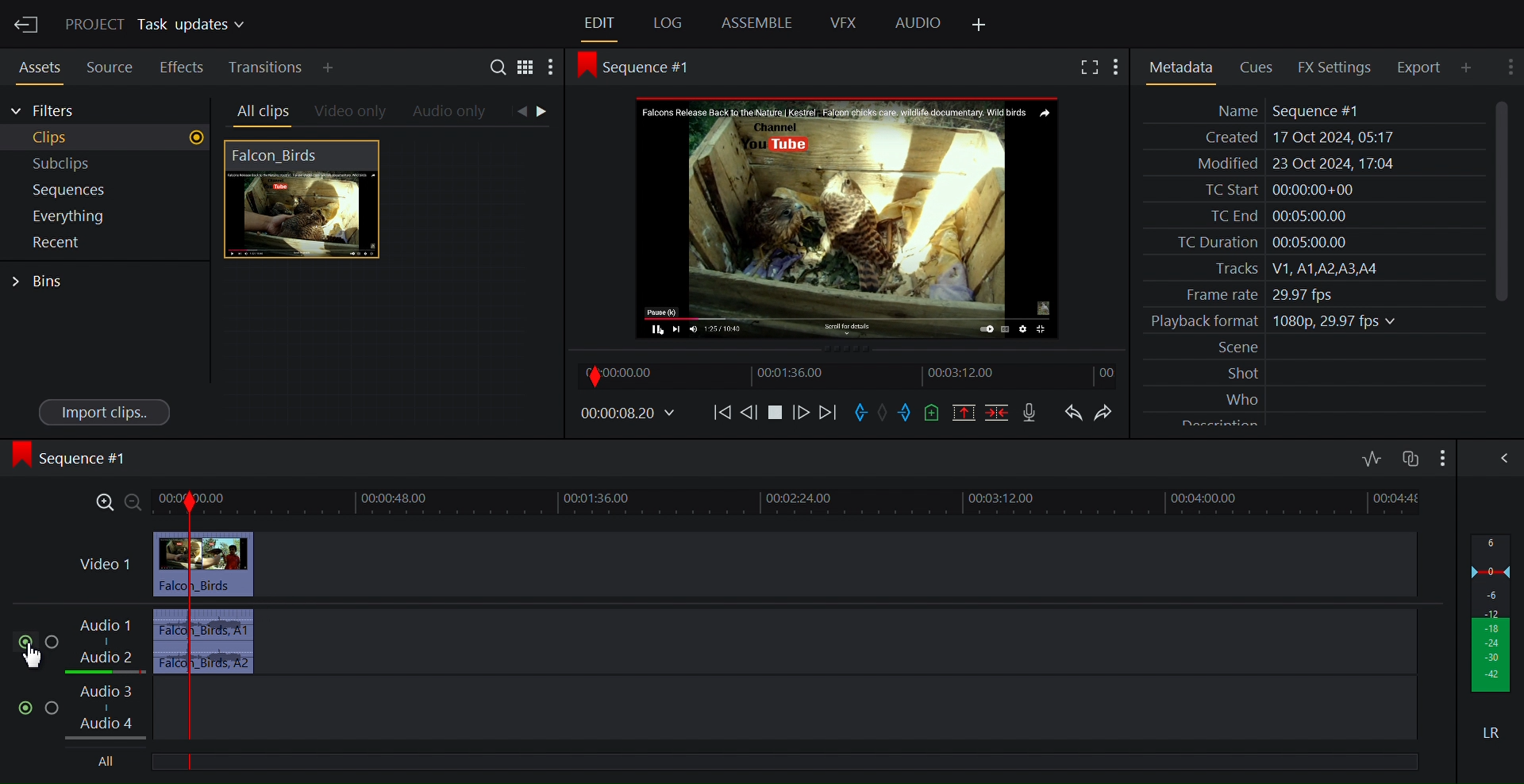  What do you see at coordinates (999, 413) in the screenshot?
I see `Delete/cut` at bounding box center [999, 413].